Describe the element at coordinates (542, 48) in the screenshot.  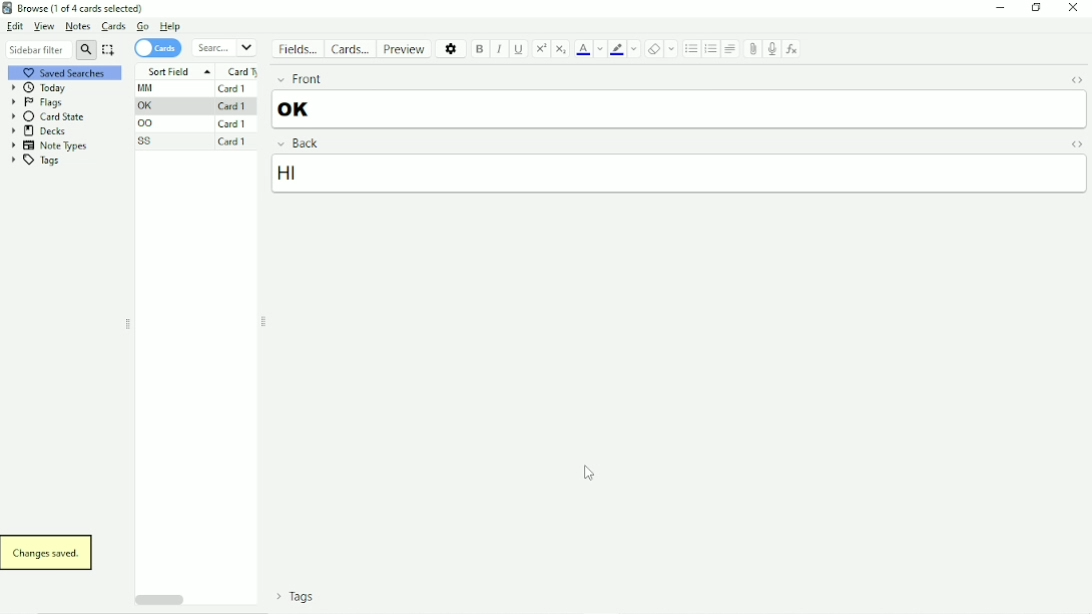
I see `Superscript` at that location.